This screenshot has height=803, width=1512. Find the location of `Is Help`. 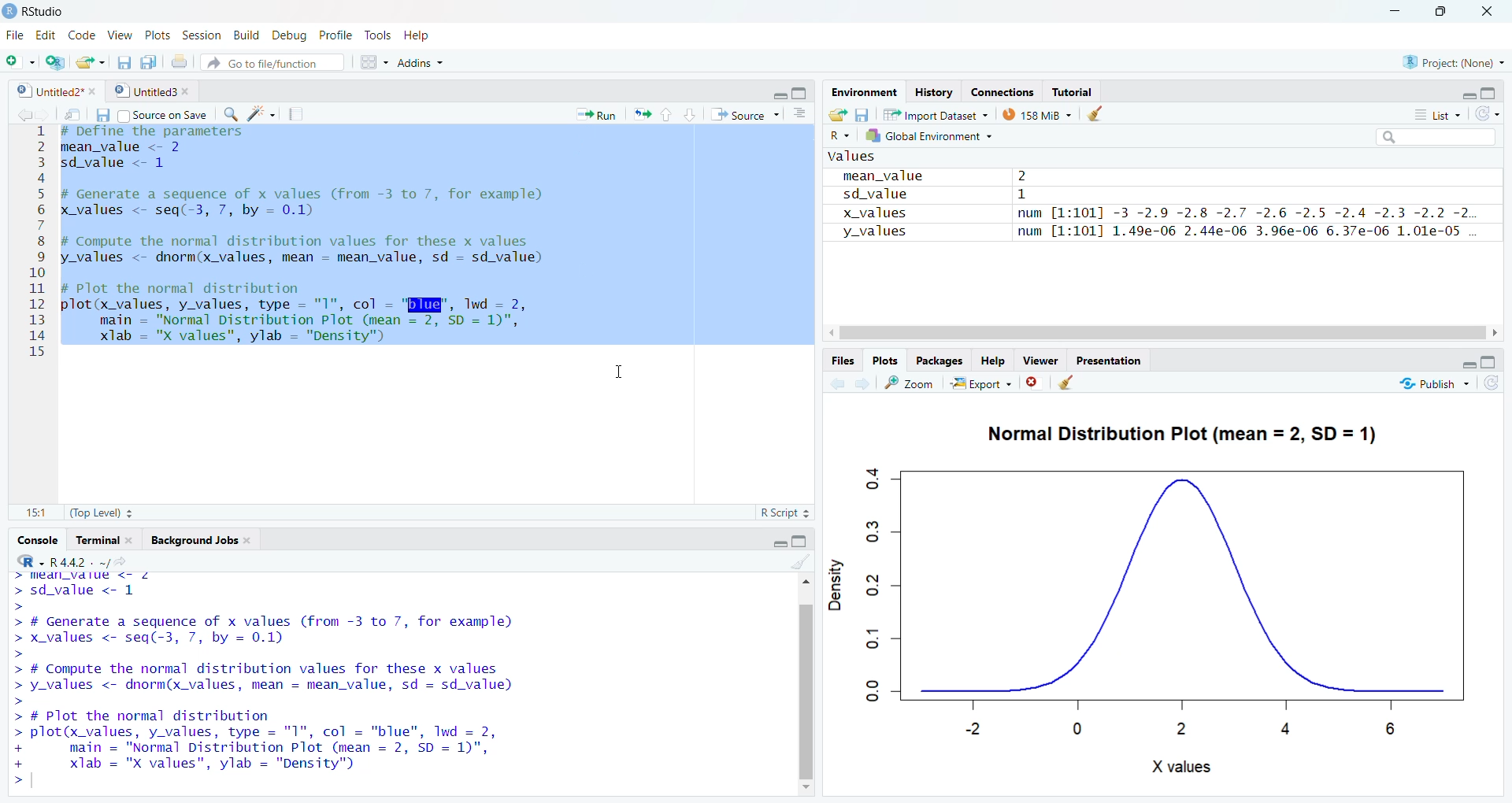

Is Help is located at coordinates (424, 31).